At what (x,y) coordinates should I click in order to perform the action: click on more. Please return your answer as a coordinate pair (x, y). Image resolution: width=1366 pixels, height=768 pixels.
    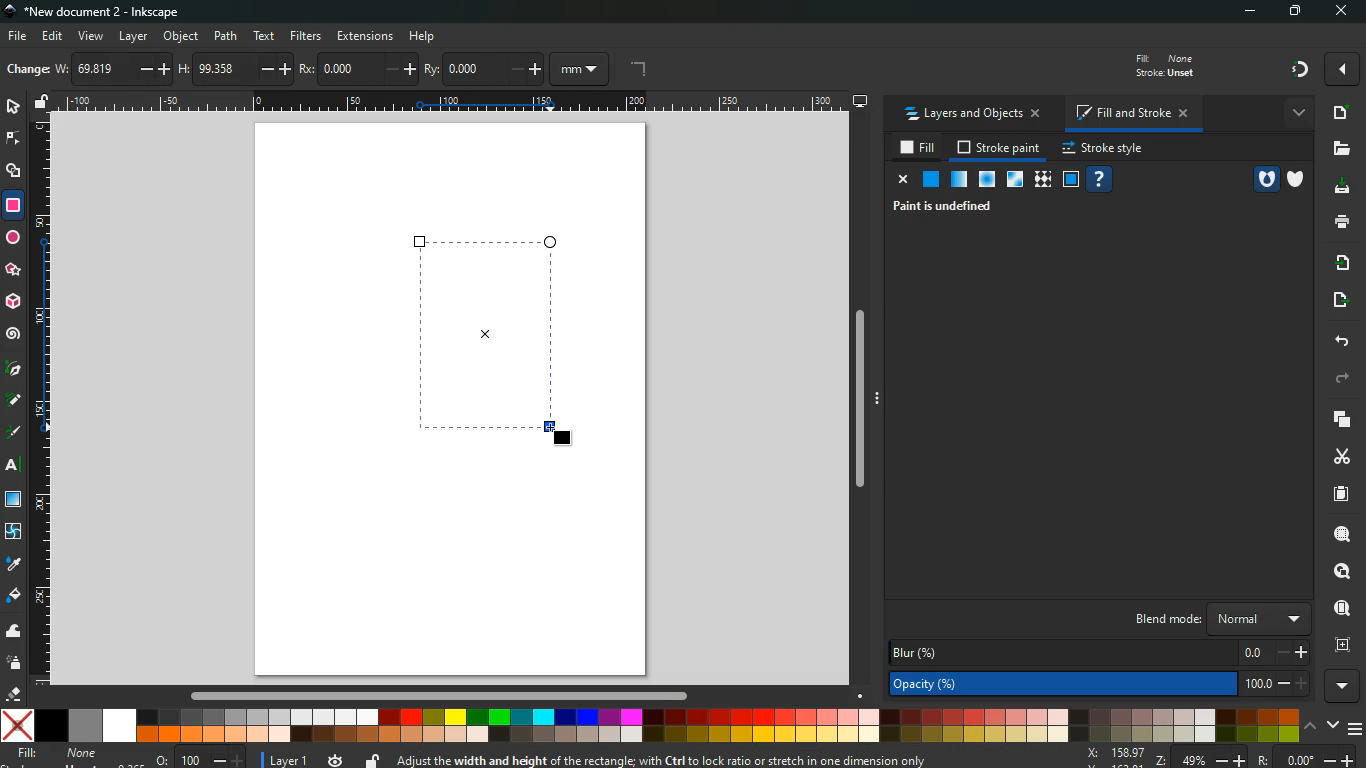
    Looking at the image, I should click on (1344, 69).